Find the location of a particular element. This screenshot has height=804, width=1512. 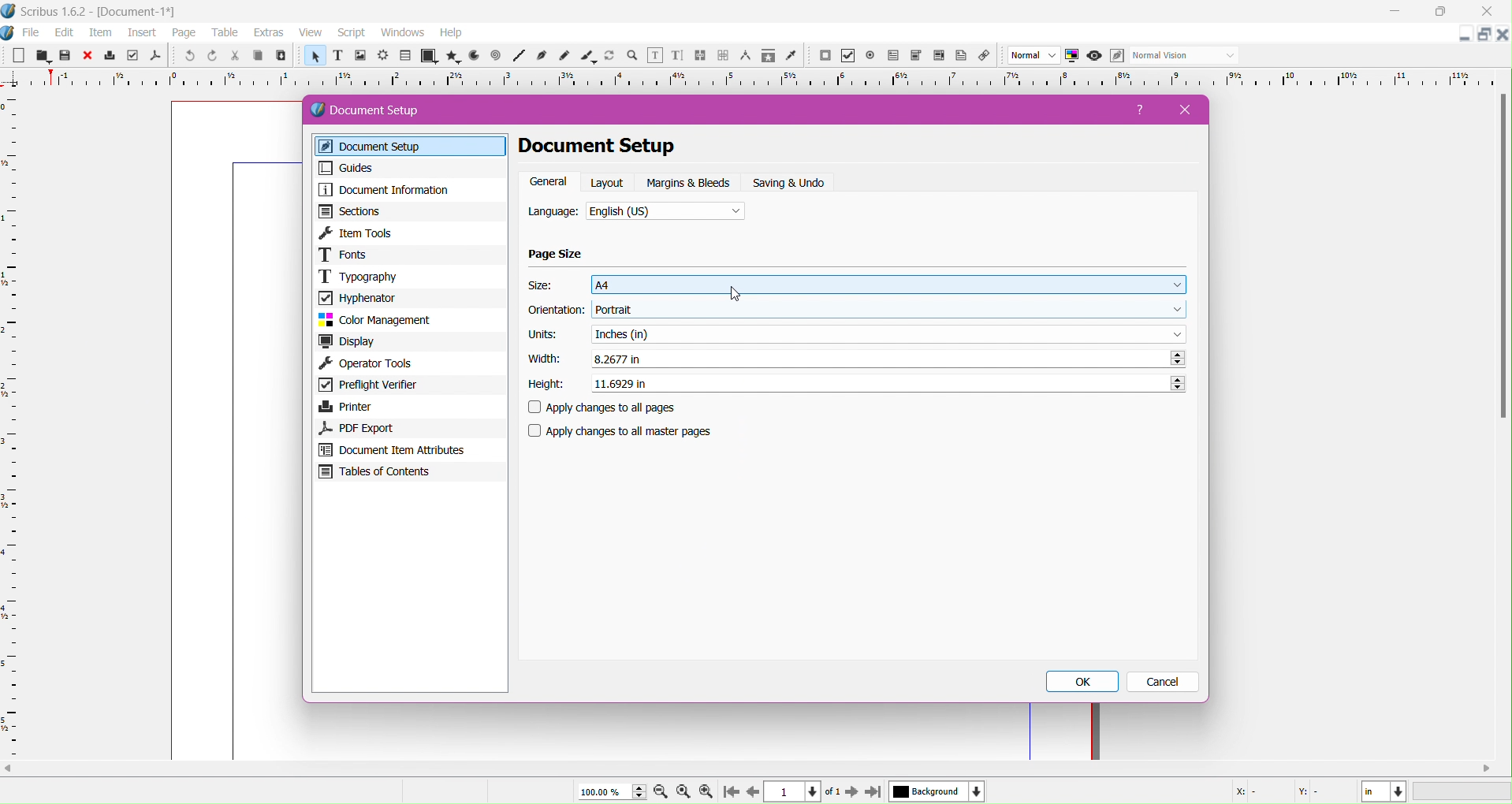

Document Information is located at coordinates (408, 190).